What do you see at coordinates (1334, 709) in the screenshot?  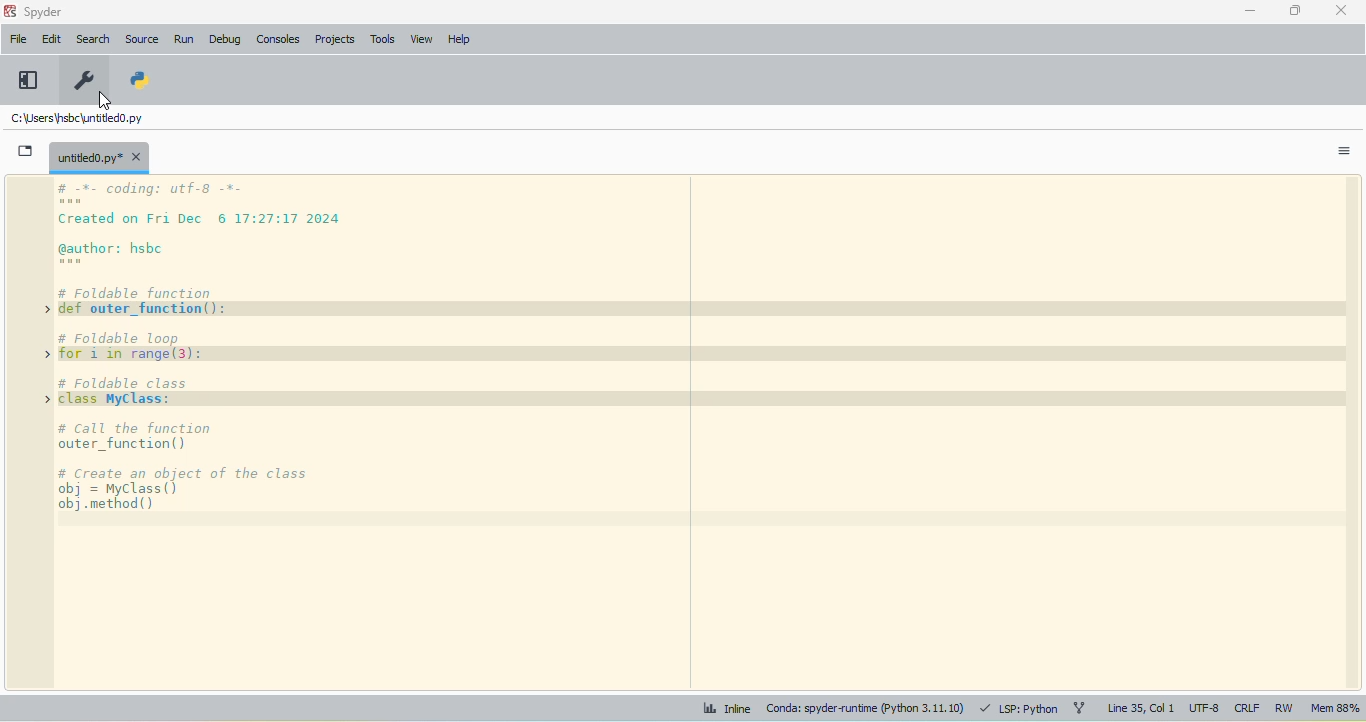 I see `mem 88%` at bounding box center [1334, 709].